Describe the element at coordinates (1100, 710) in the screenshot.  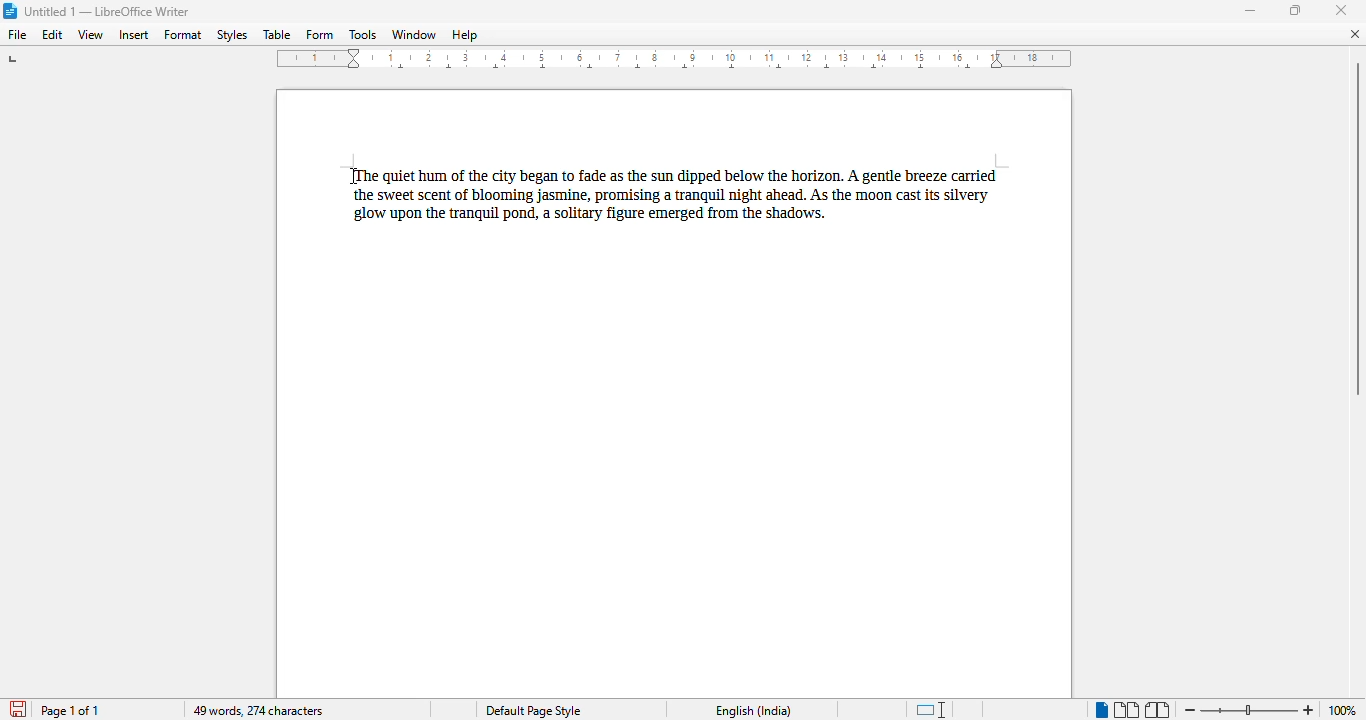
I see `single-page view` at that location.